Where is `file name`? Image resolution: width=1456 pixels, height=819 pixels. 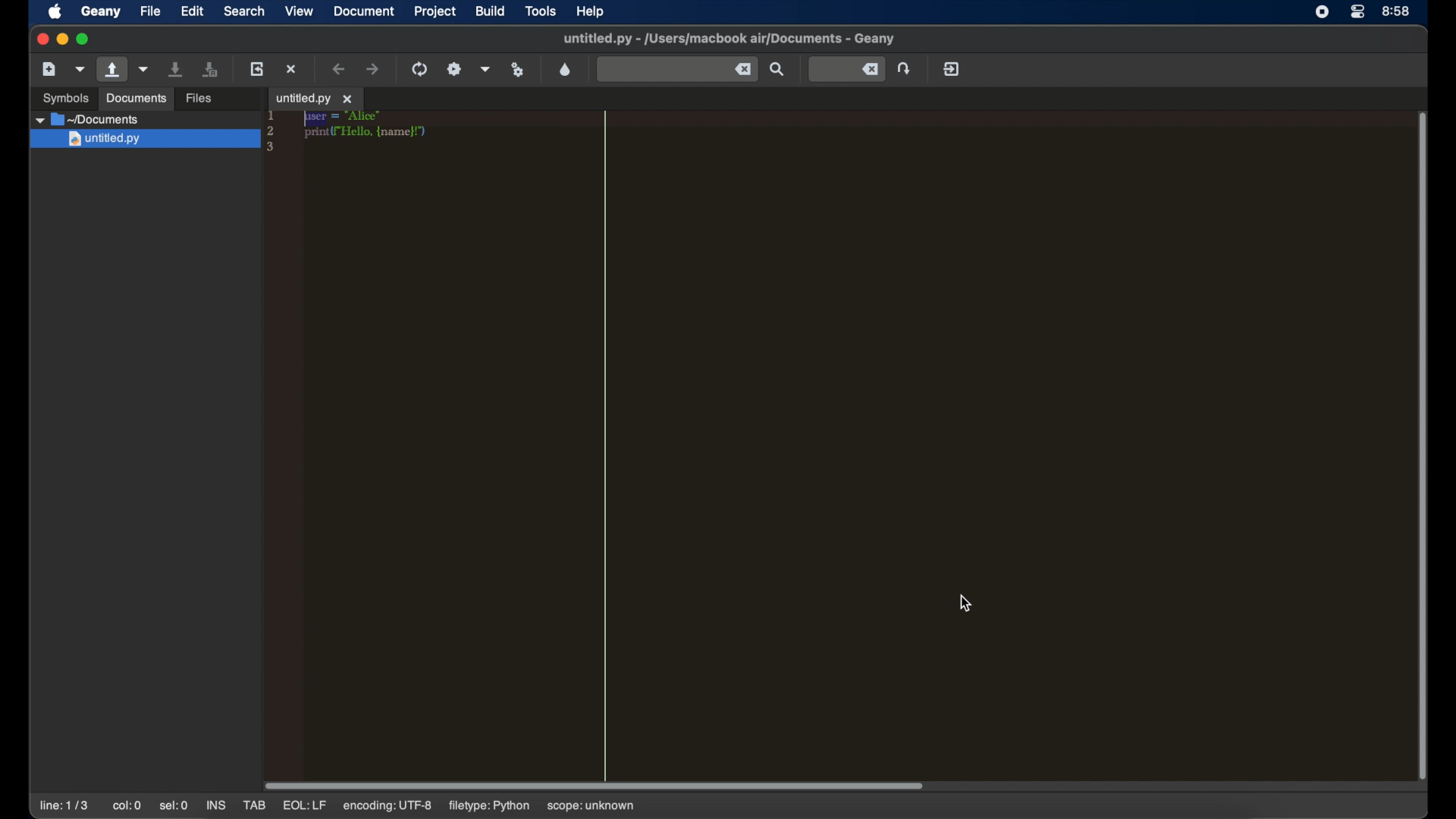
file name is located at coordinates (727, 39).